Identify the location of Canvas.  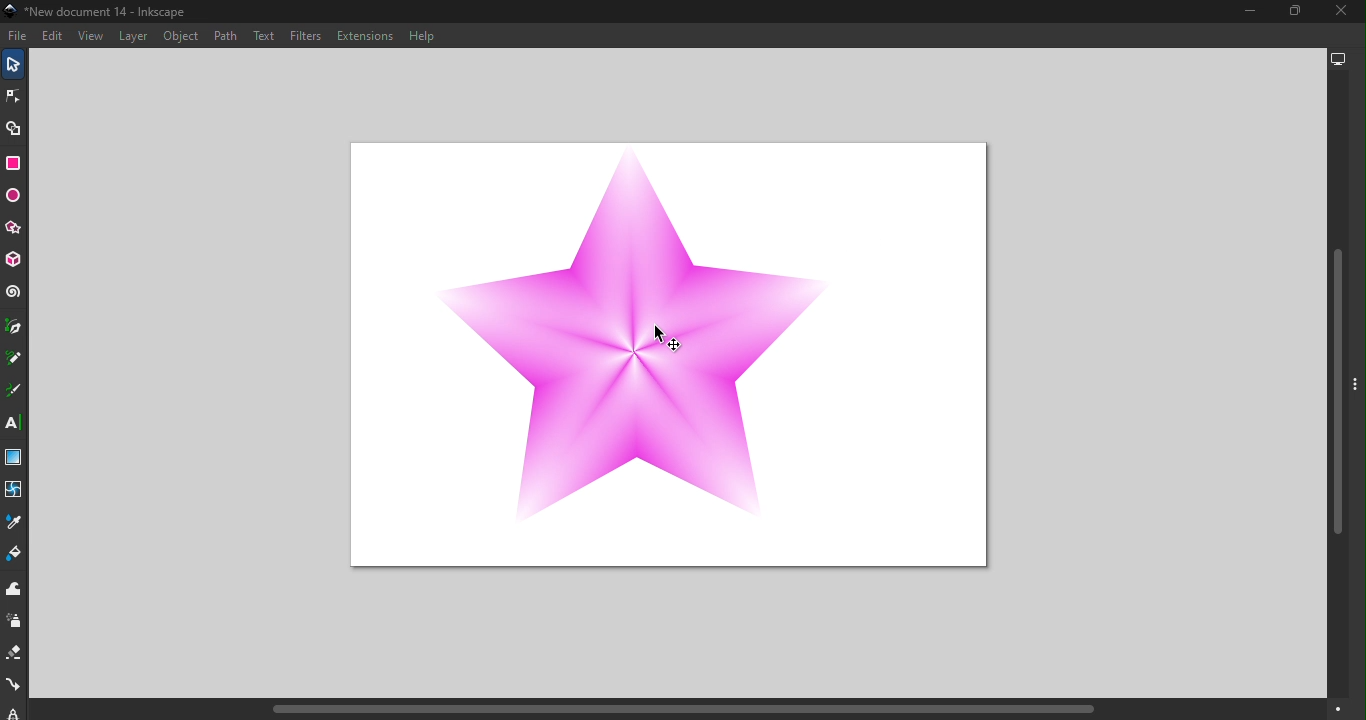
(676, 355).